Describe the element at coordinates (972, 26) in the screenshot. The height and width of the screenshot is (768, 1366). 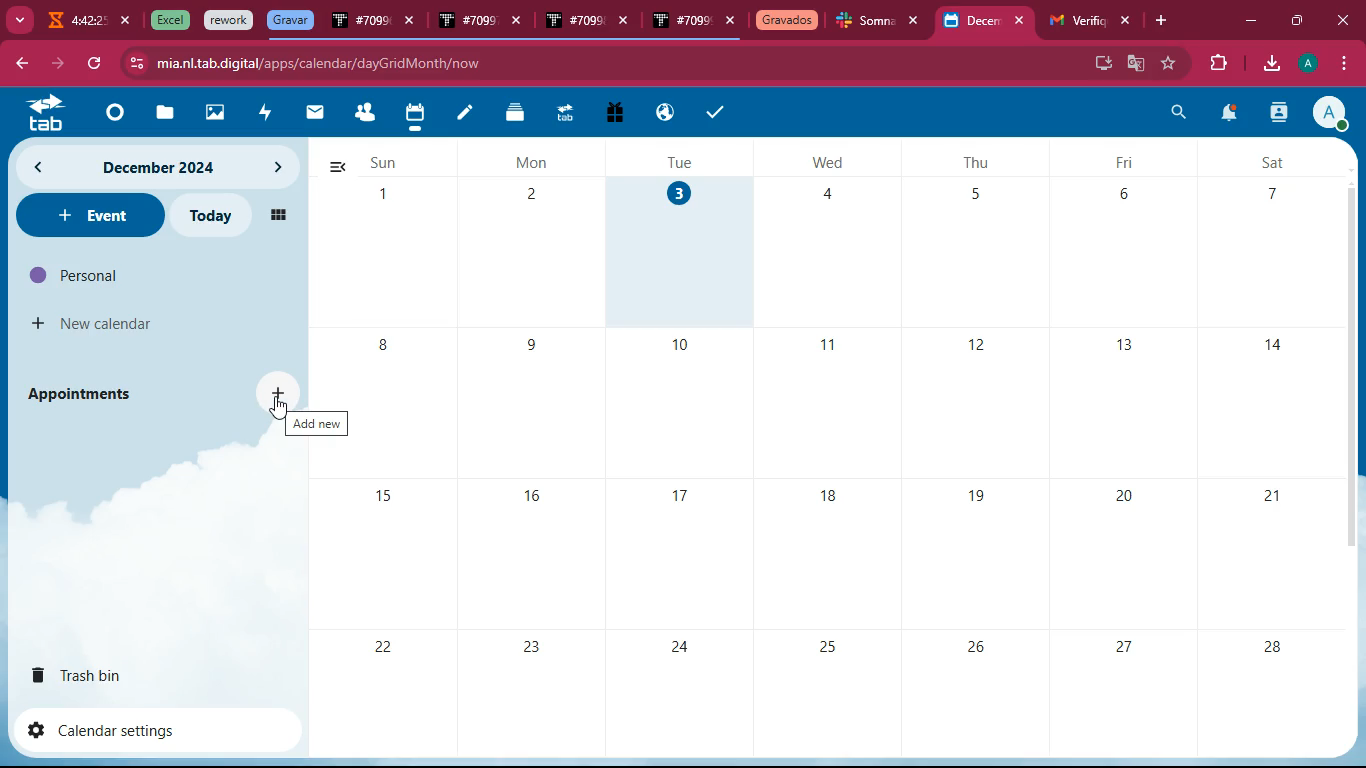
I see `current tab` at that location.